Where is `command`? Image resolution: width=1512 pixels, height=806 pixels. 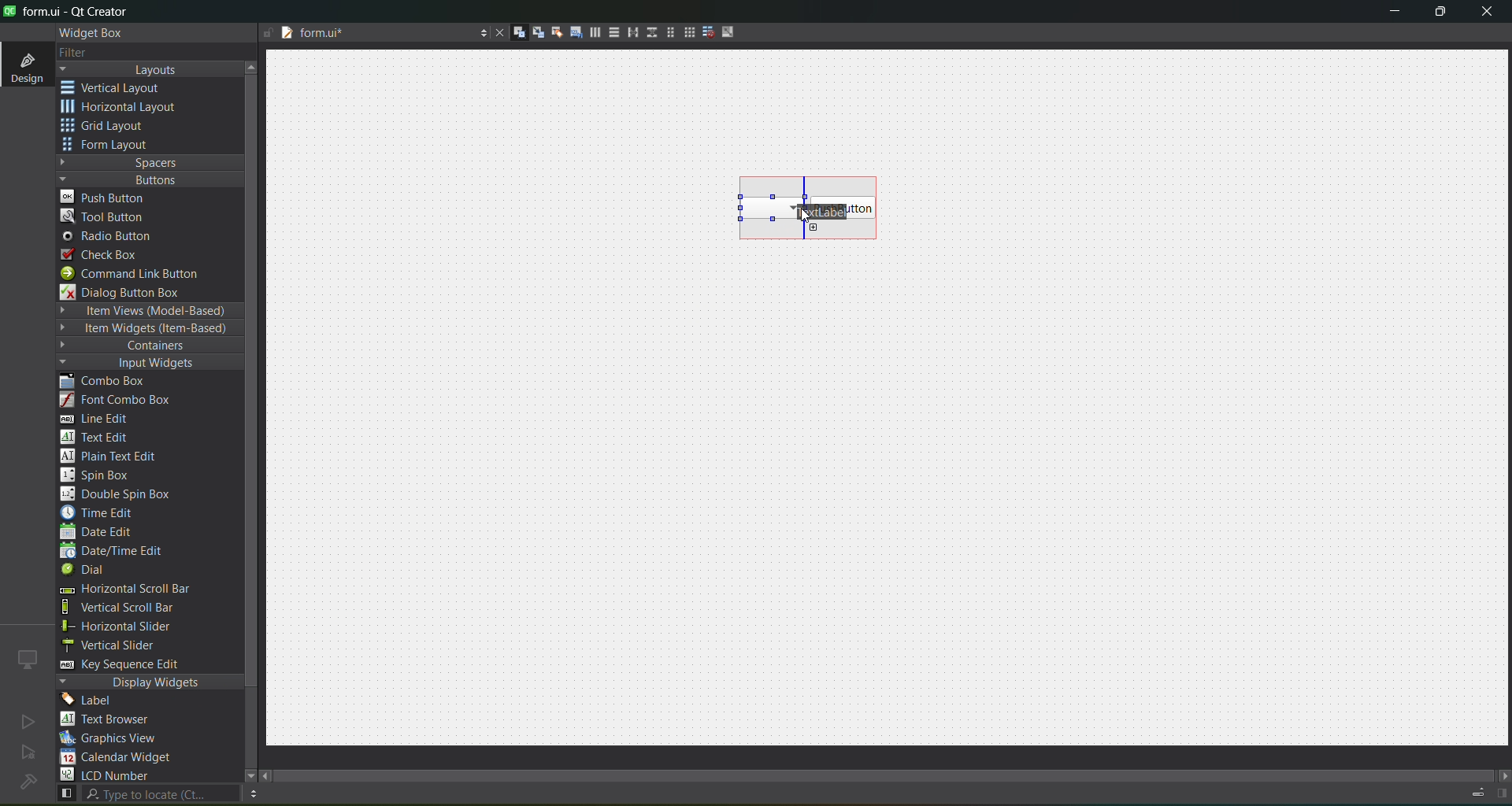
command is located at coordinates (140, 275).